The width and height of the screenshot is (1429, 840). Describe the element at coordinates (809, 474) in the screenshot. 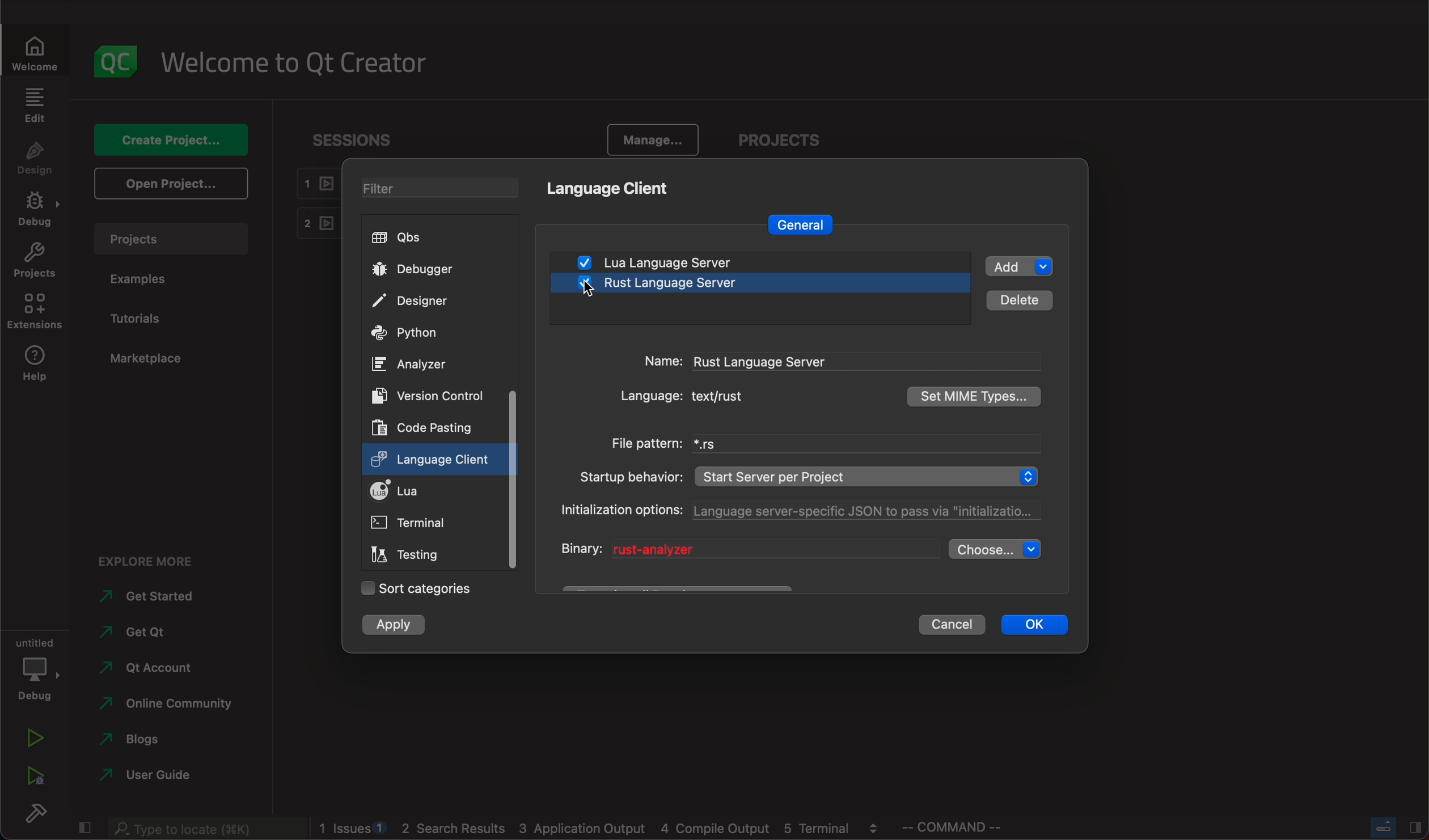

I see `startup` at that location.